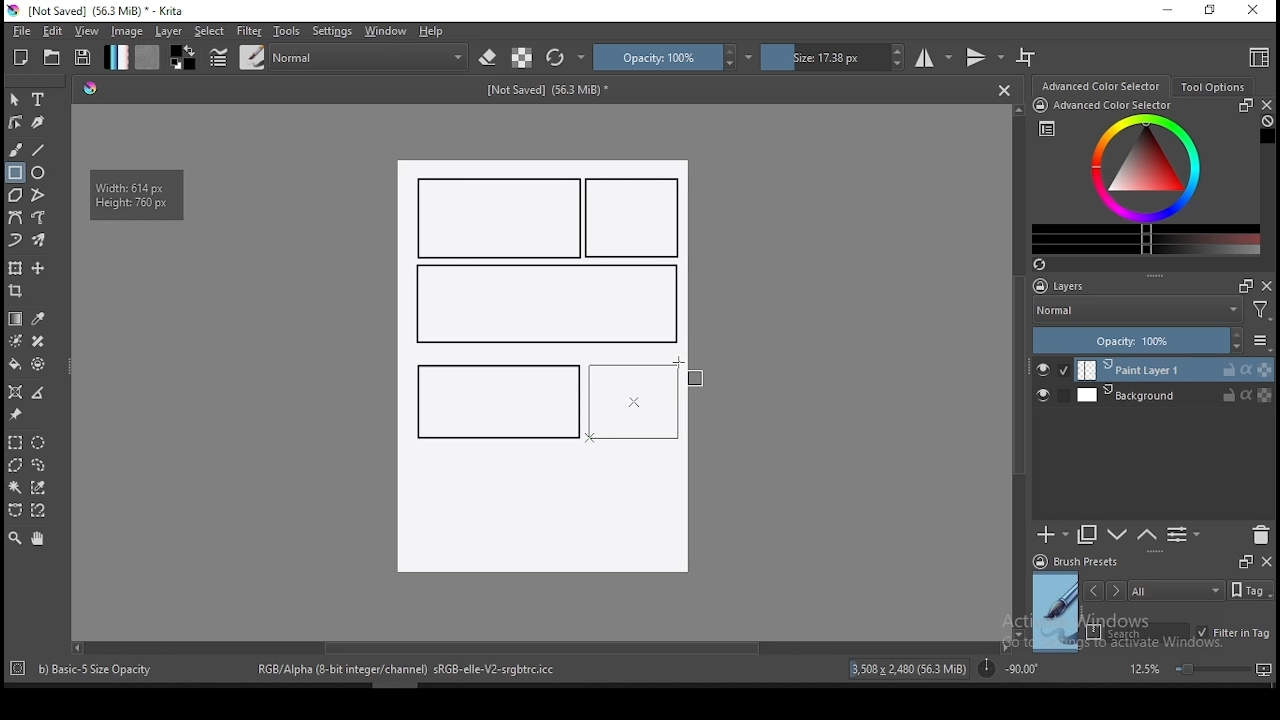 The width and height of the screenshot is (1280, 720). What do you see at coordinates (490, 58) in the screenshot?
I see `set eraser mode` at bounding box center [490, 58].